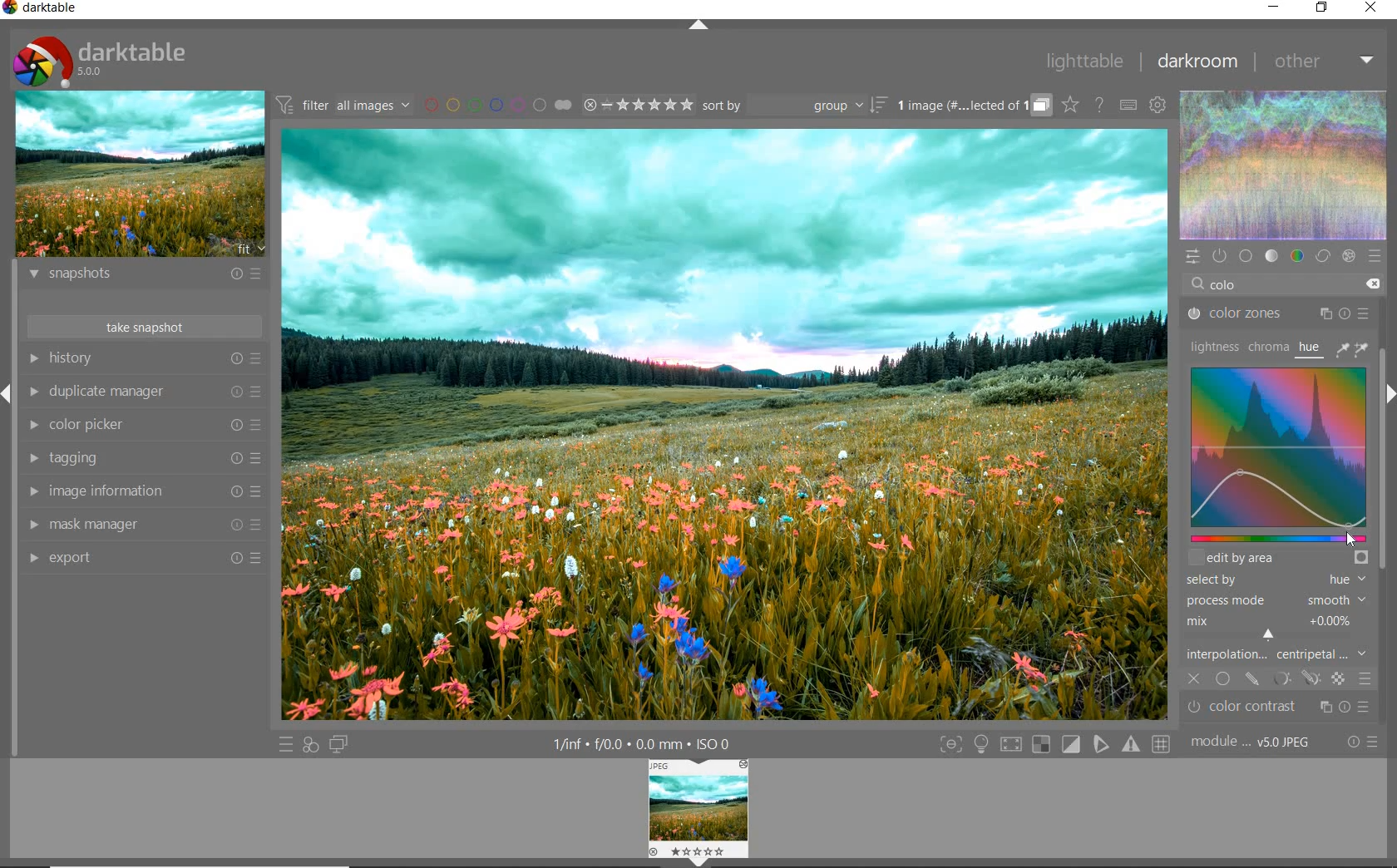  Describe the element at coordinates (1054, 745) in the screenshot. I see `Toggle modes` at that location.